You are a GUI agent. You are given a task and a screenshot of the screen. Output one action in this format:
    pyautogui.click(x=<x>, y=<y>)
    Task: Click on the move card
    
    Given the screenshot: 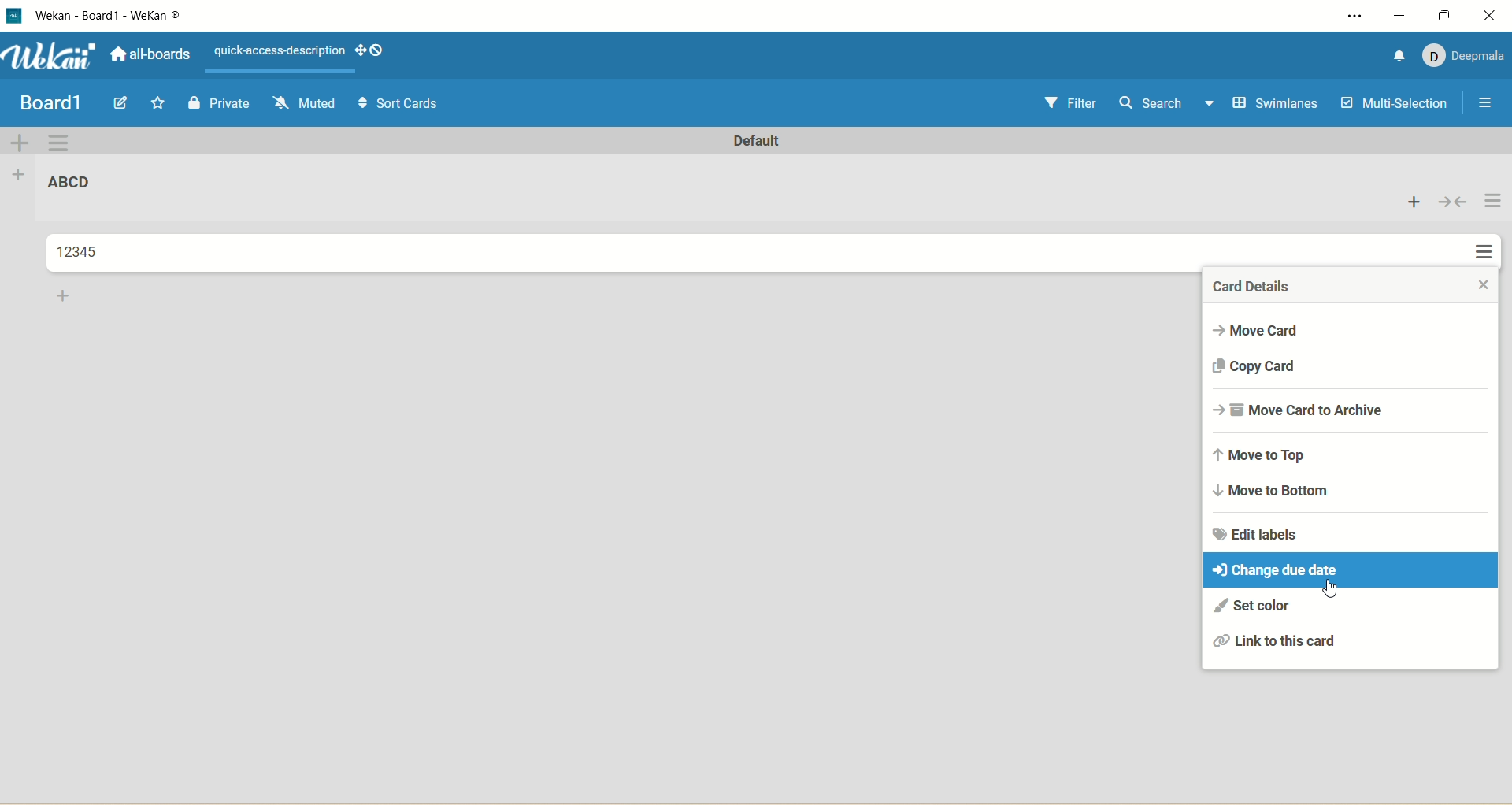 What is the action you would take?
    pyautogui.click(x=1255, y=331)
    